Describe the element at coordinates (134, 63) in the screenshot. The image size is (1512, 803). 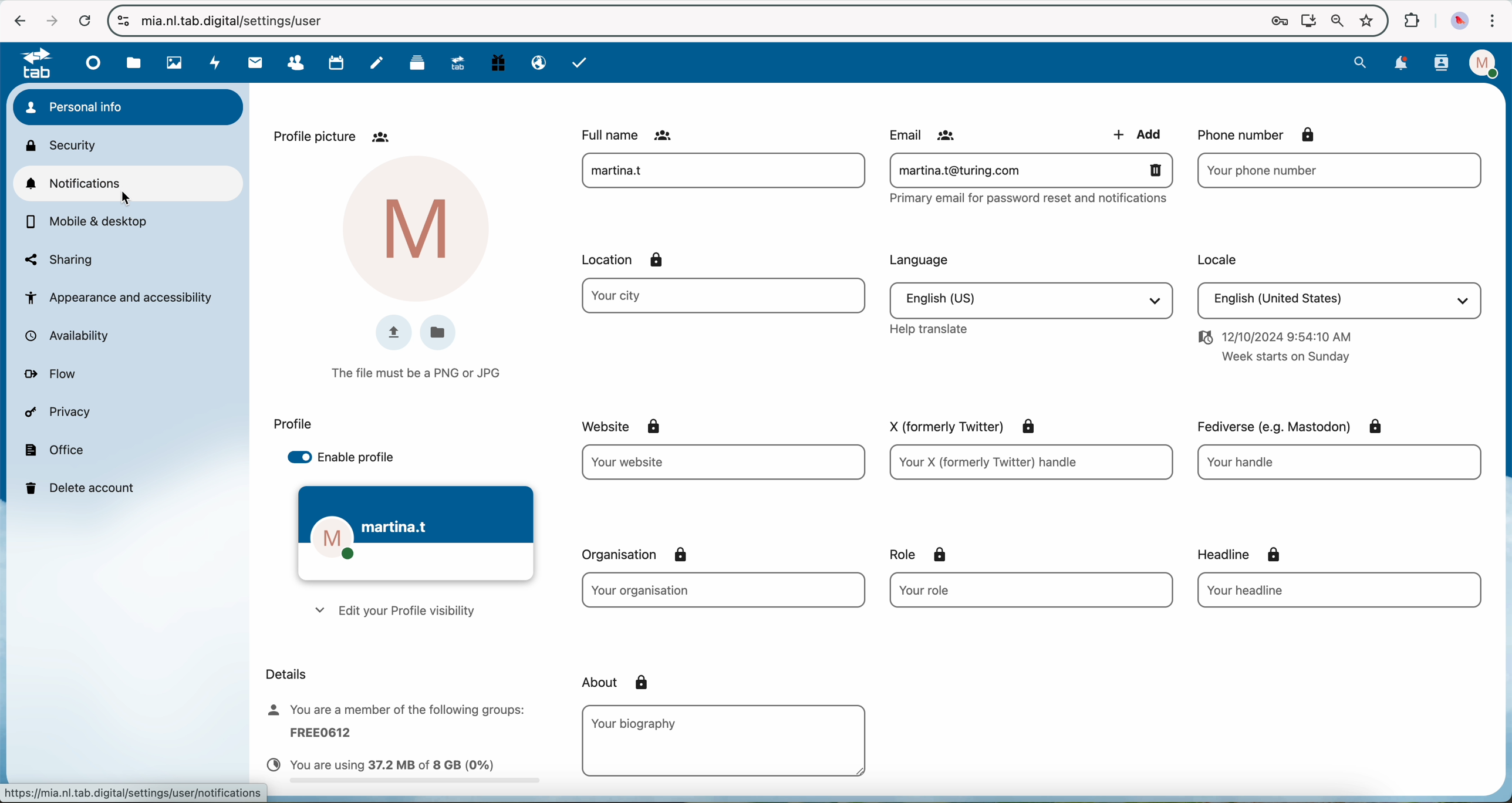
I see `file` at that location.